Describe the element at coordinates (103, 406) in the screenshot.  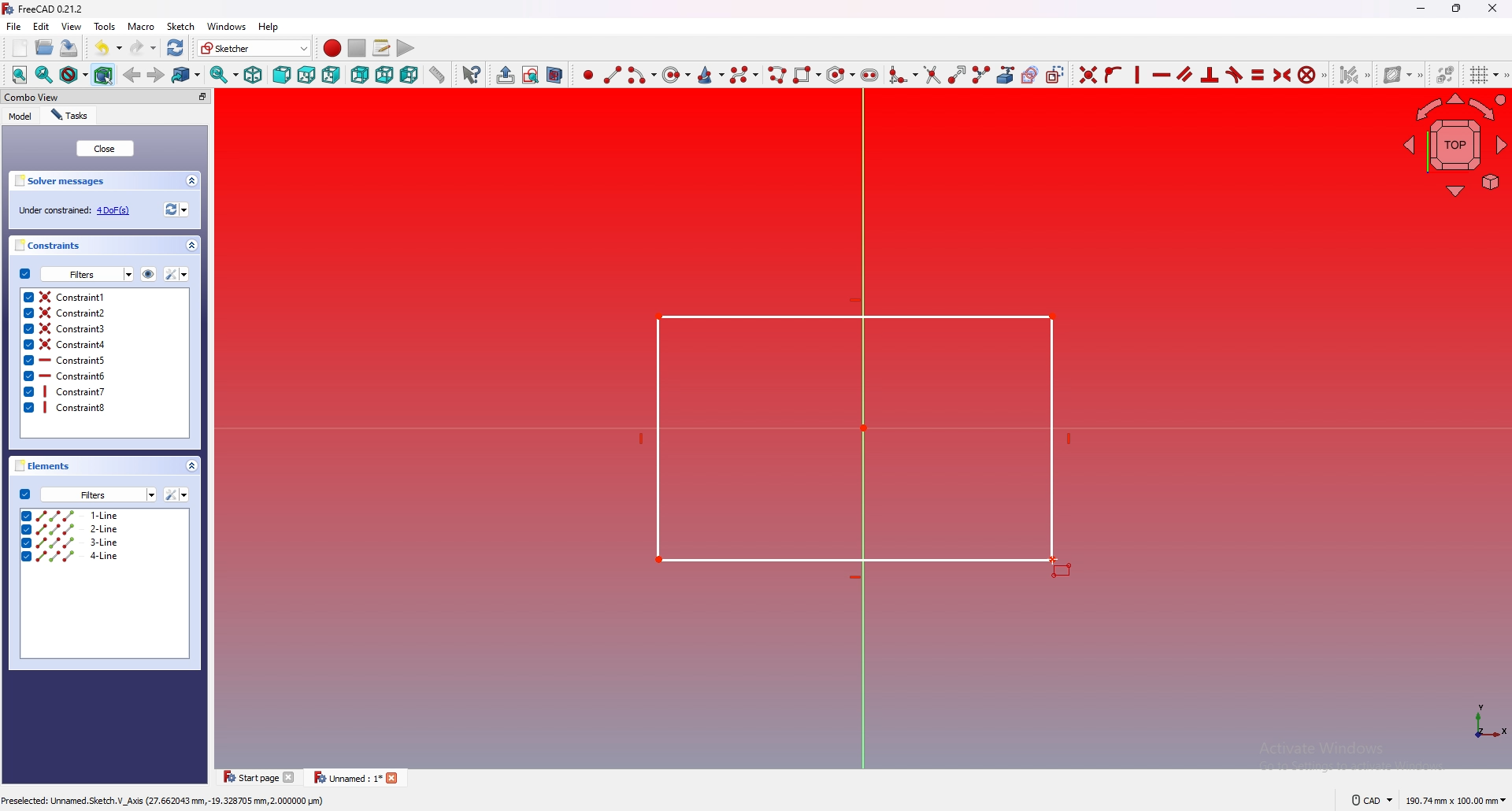
I see `constraint 8` at that location.